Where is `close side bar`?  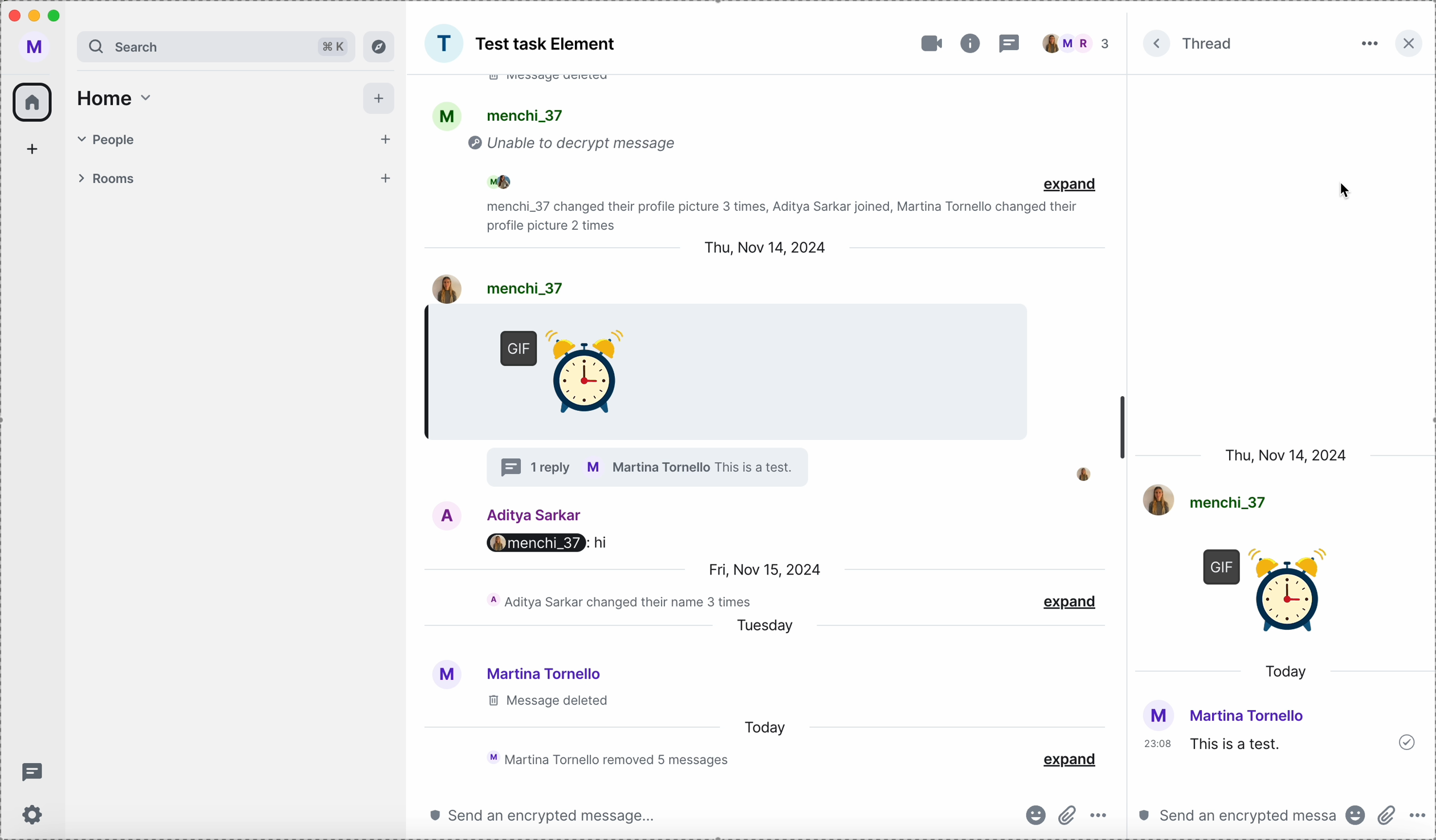 close side bar is located at coordinates (1407, 44).